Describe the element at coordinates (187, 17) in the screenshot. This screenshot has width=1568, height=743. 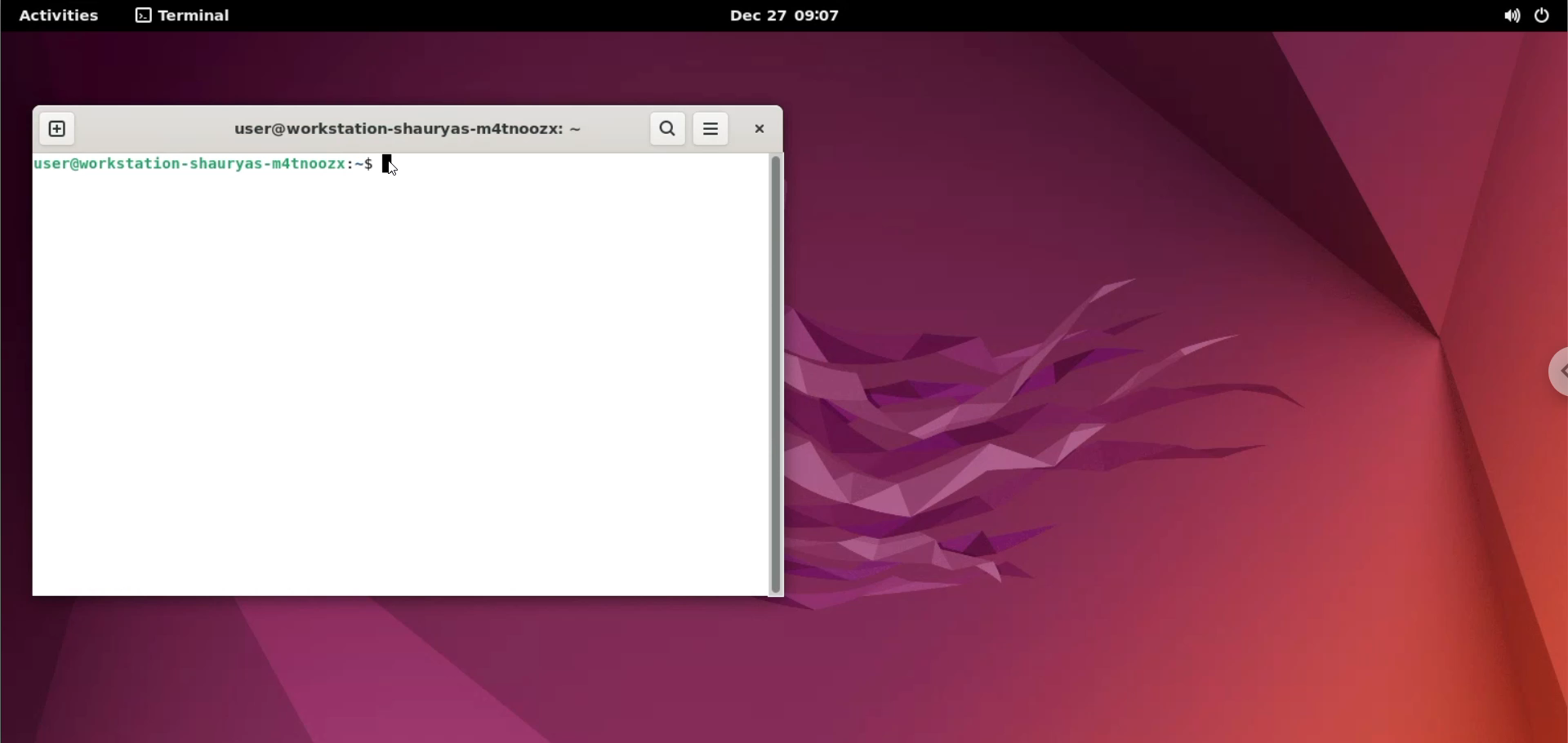
I see `Terminal` at that location.